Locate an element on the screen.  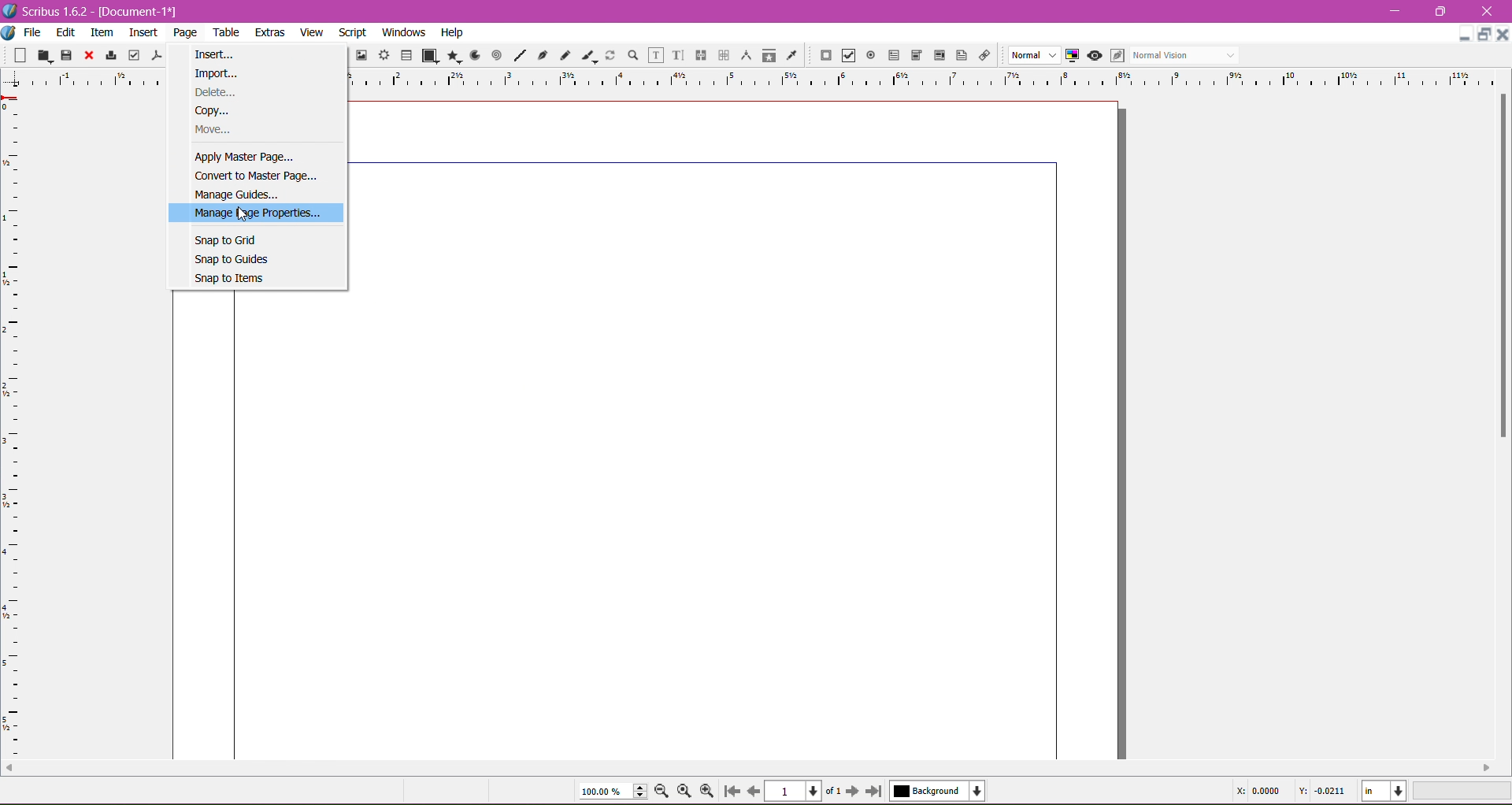
Script is located at coordinates (352, 32).